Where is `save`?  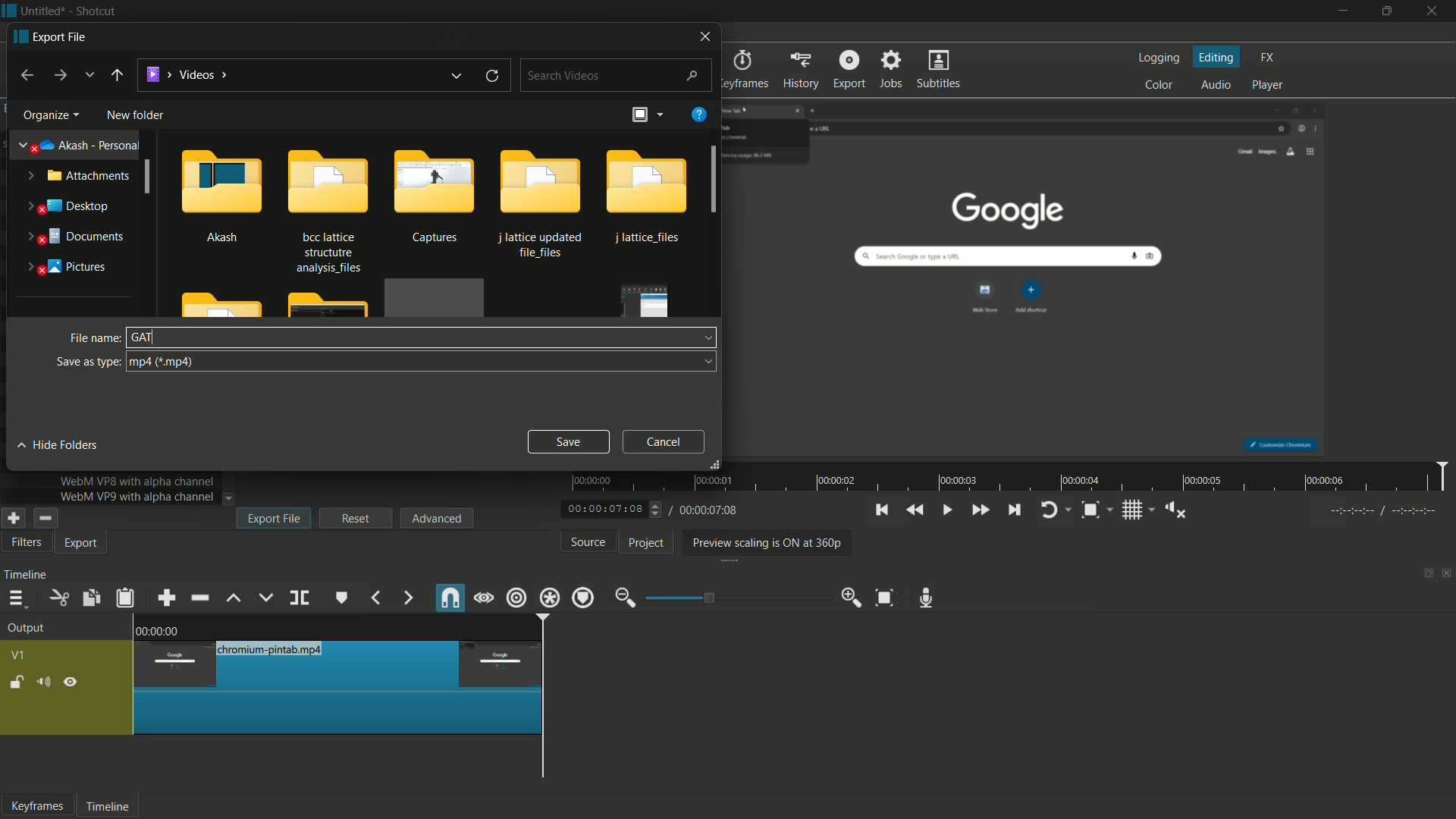 save is located at coordinates (567, 440).